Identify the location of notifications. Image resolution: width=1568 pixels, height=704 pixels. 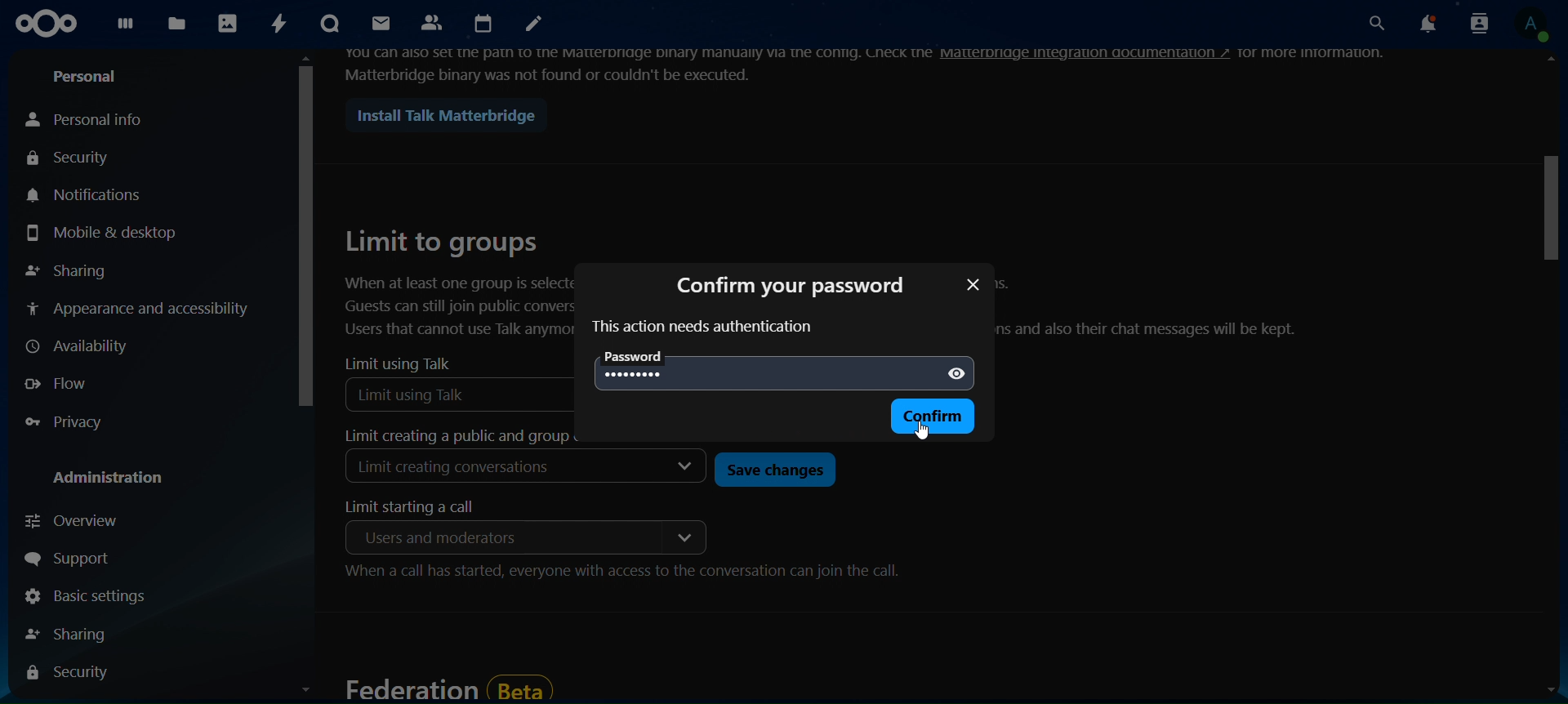
(1423, 25).